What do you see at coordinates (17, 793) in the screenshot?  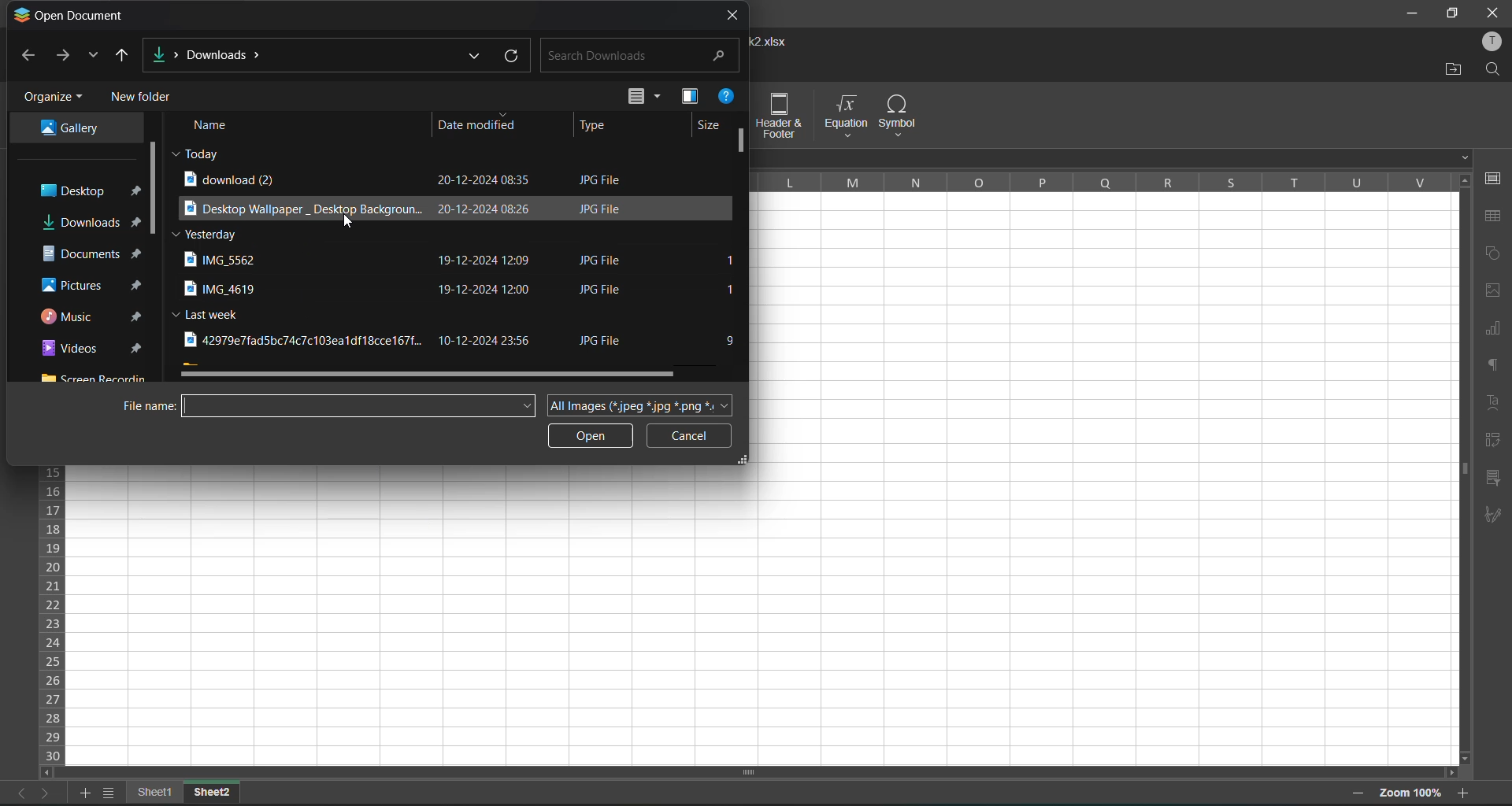 I see `previous` at bounding box center [17, 793].